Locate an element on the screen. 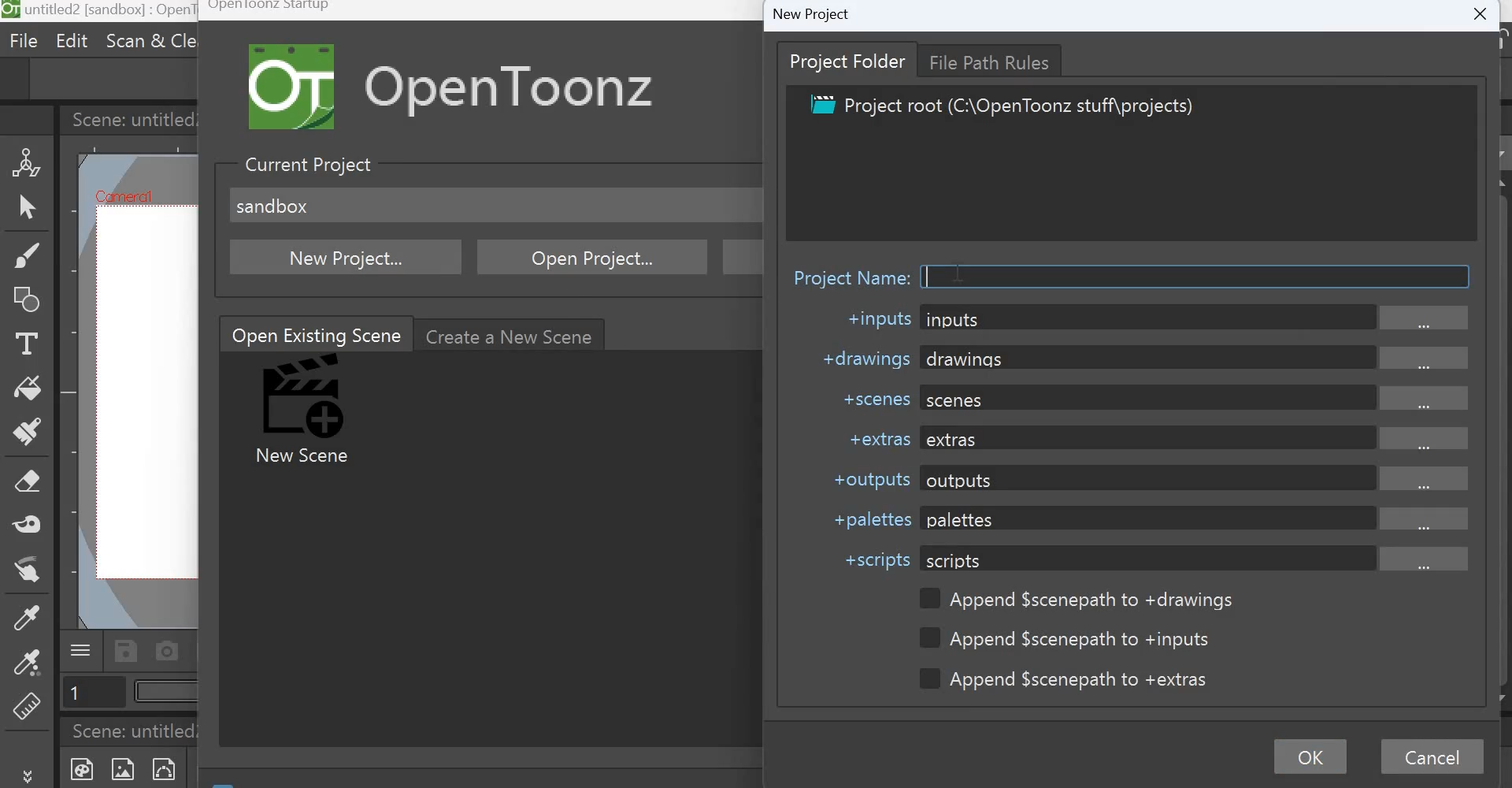 This screenshot has height=788, width=1512. Page number is located at coordinates (93, 694).